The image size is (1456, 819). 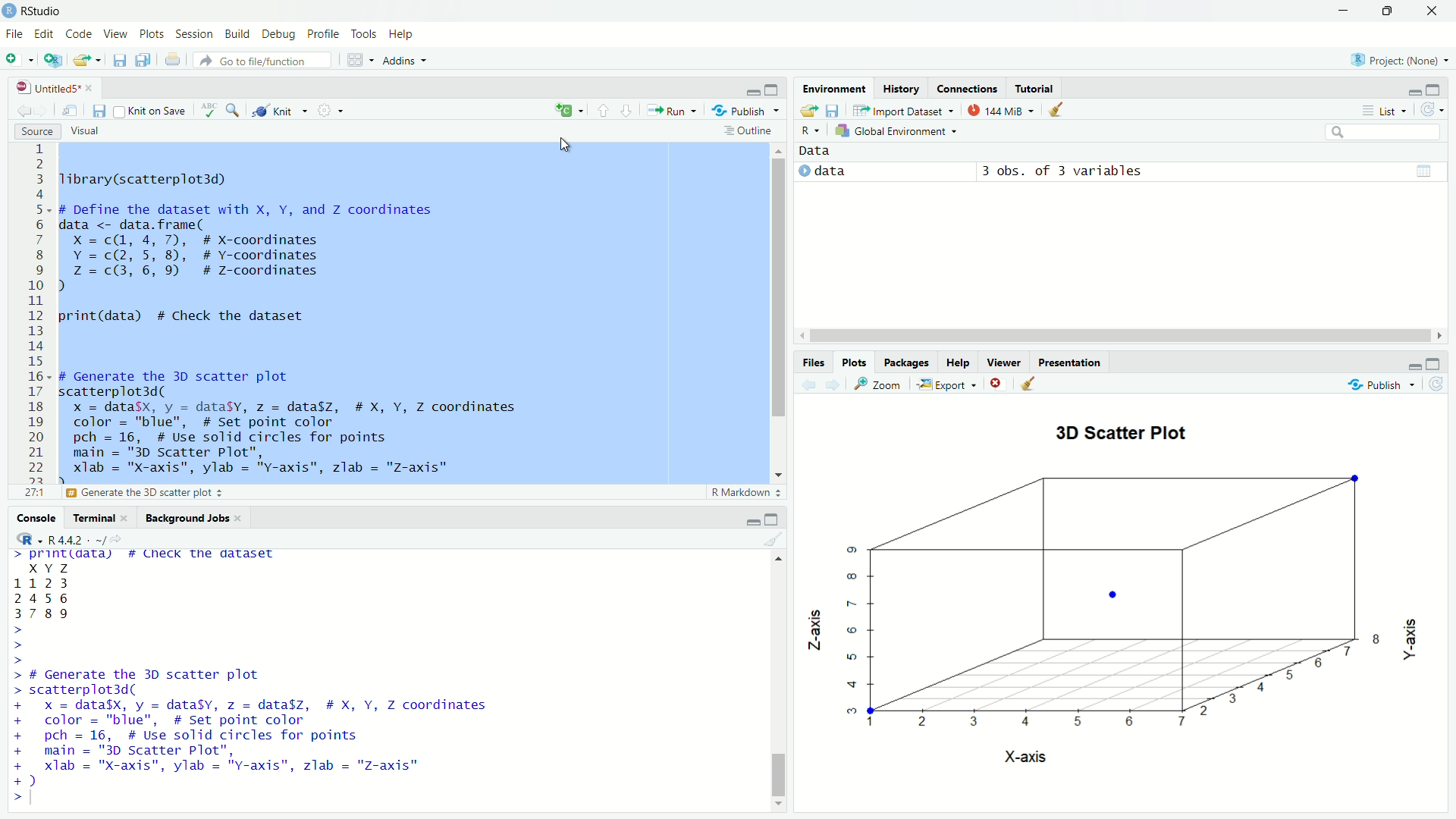 What do you see at coordinates (1034, 86) in the screenshot?
I see `tutorial` at bounding box center [1034, 86].